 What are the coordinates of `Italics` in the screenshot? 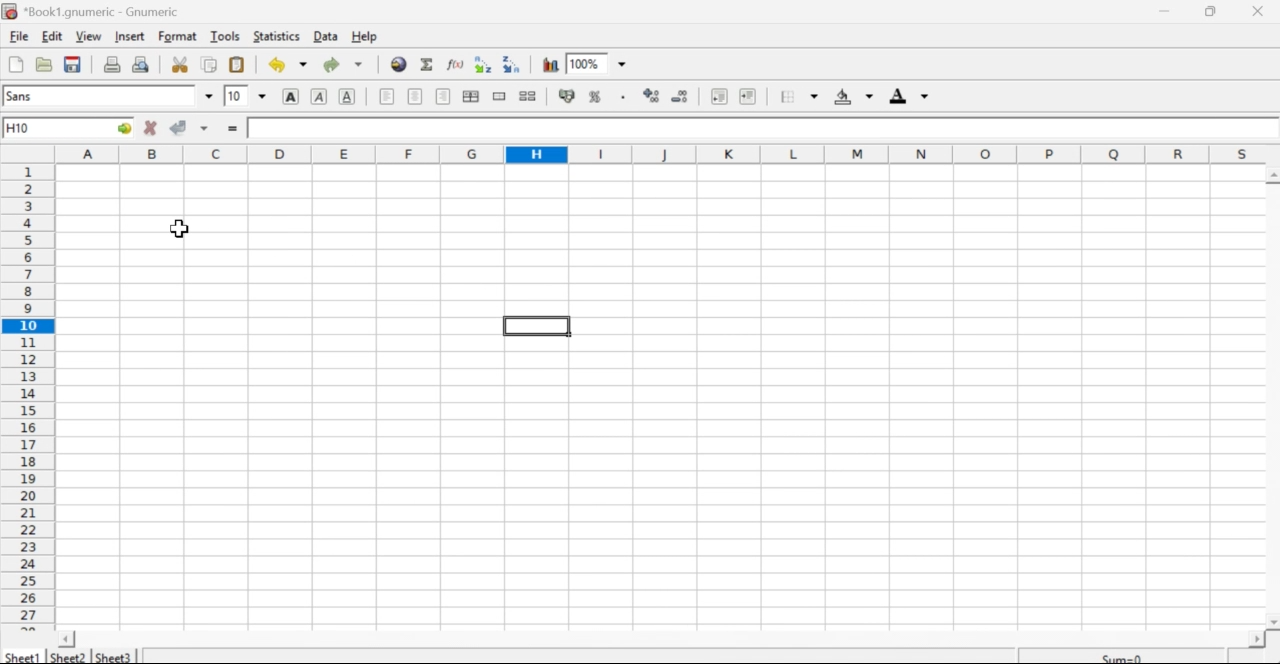 It's located at (319, 98).